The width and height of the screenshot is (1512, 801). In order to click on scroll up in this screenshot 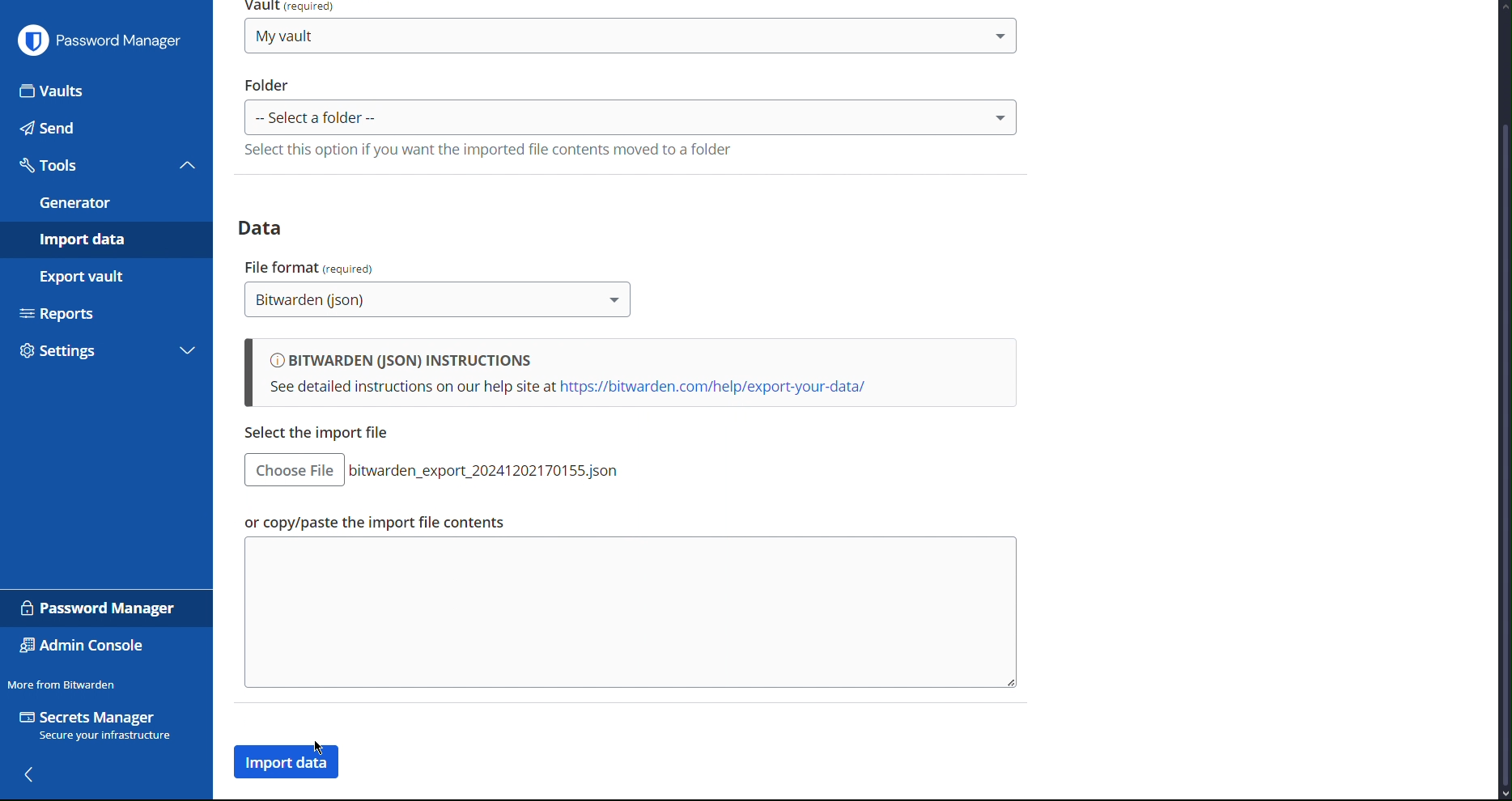, I will do `click(1502, 6)`.